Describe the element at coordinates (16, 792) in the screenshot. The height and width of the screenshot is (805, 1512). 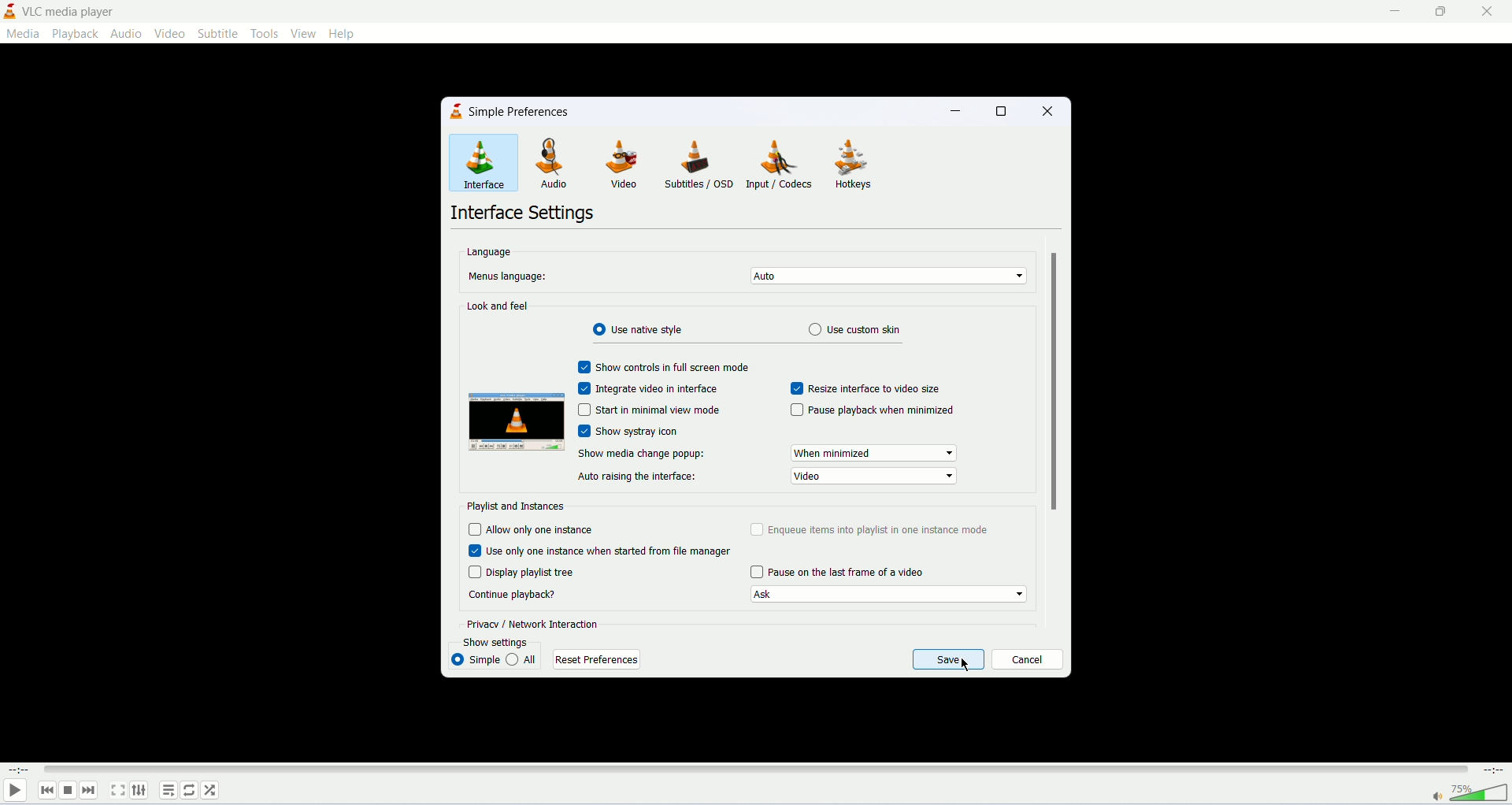
I see `play/pause` at that location.